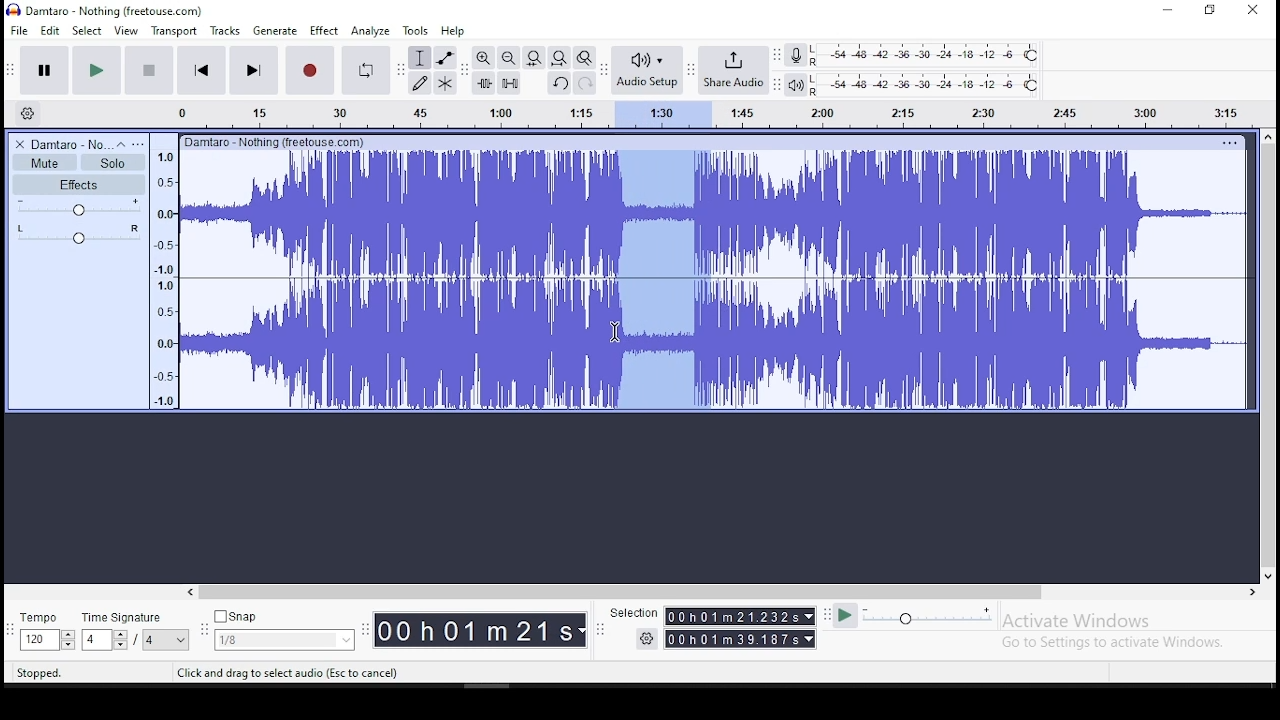  I want to click on recording level, so click(927, 54).